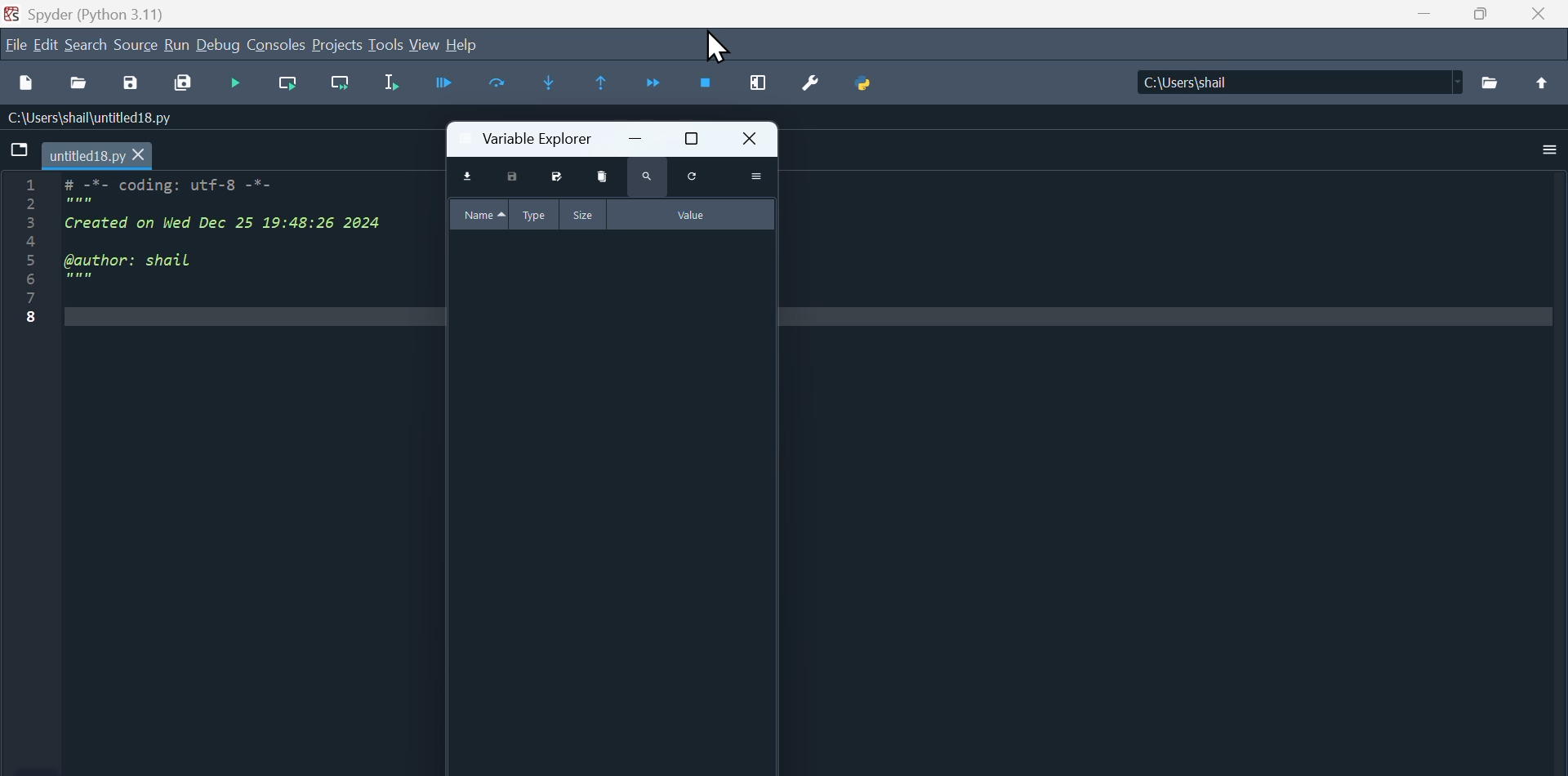 Image resolution: width=1568 pixels, height=776 pixels. What do you see at coordinates (755, 176) in the screenshot?
I see `more actions` at bounding box center [755, 176].